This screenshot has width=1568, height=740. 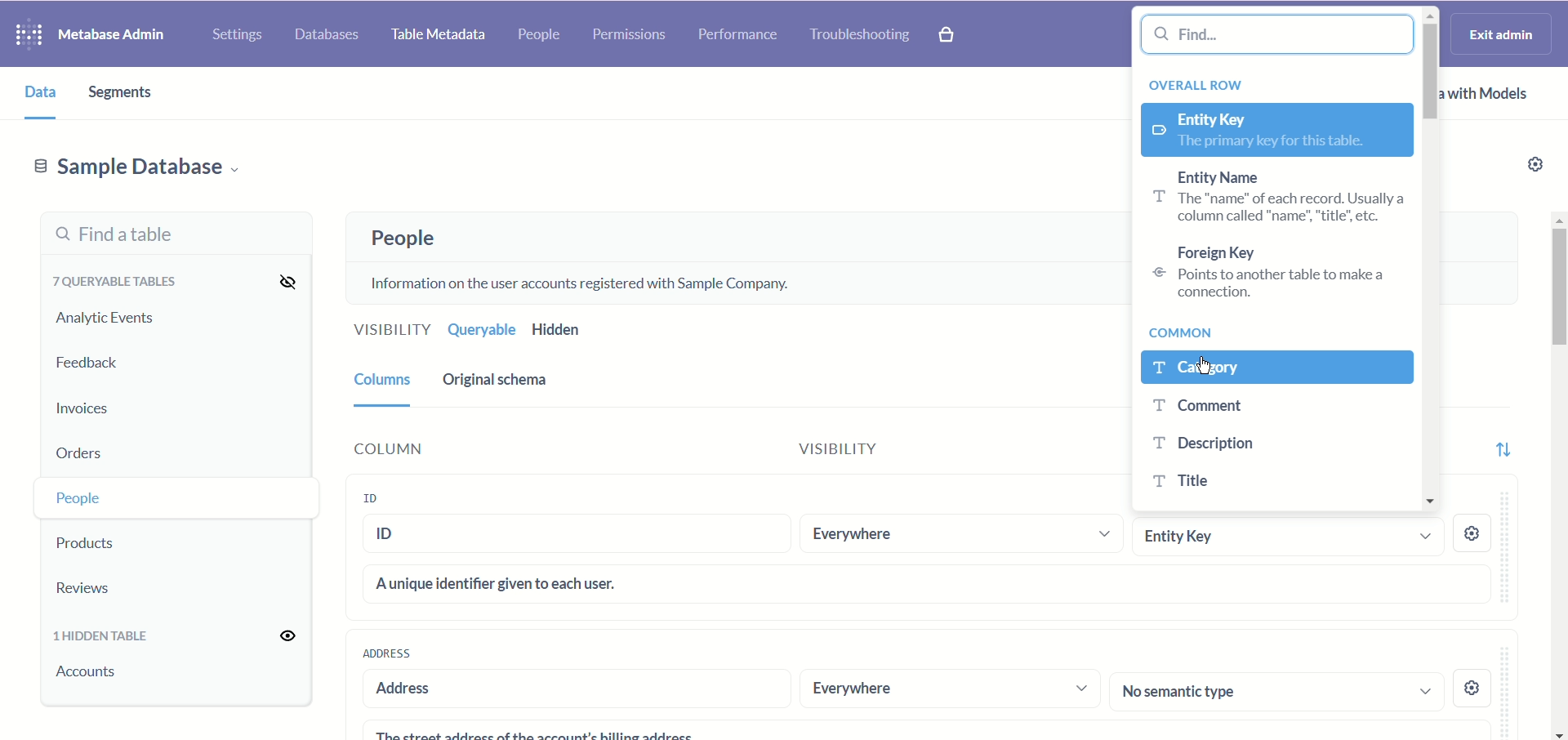 I want to click on visibility, so click(x=864, y=452).